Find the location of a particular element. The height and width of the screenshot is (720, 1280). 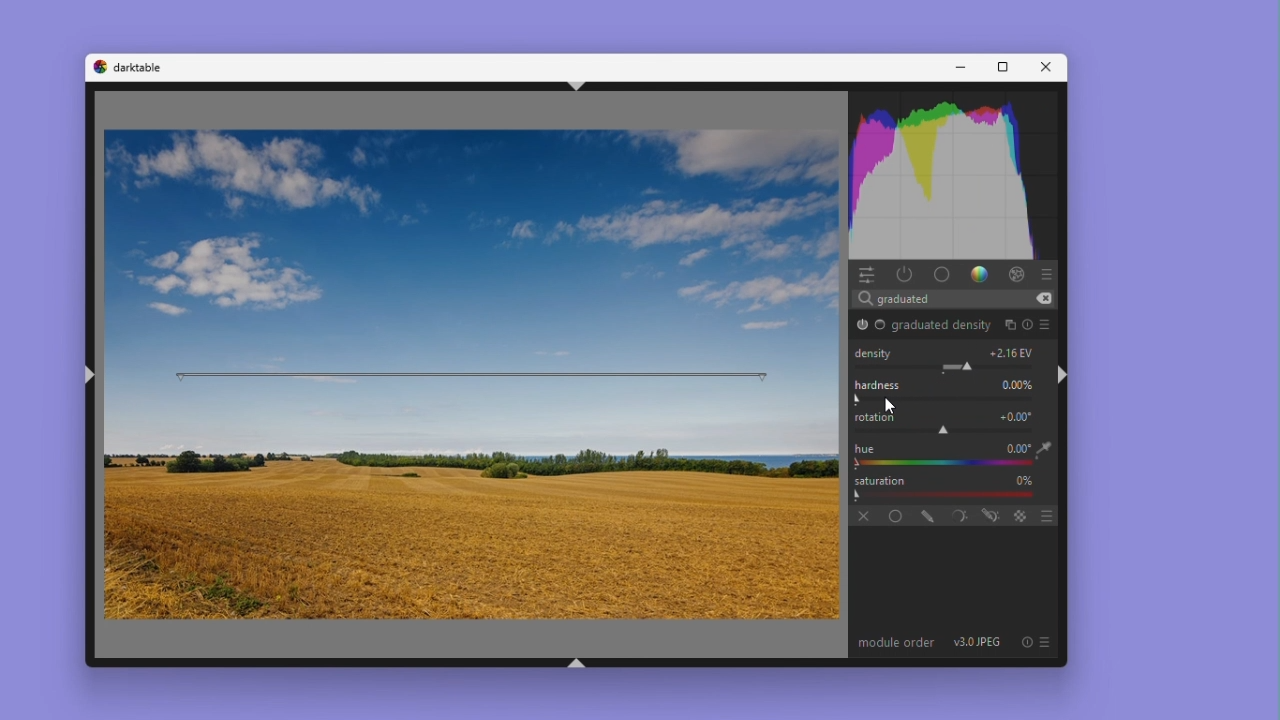

rotation adjustment slider is located at coordinates (958, 430).